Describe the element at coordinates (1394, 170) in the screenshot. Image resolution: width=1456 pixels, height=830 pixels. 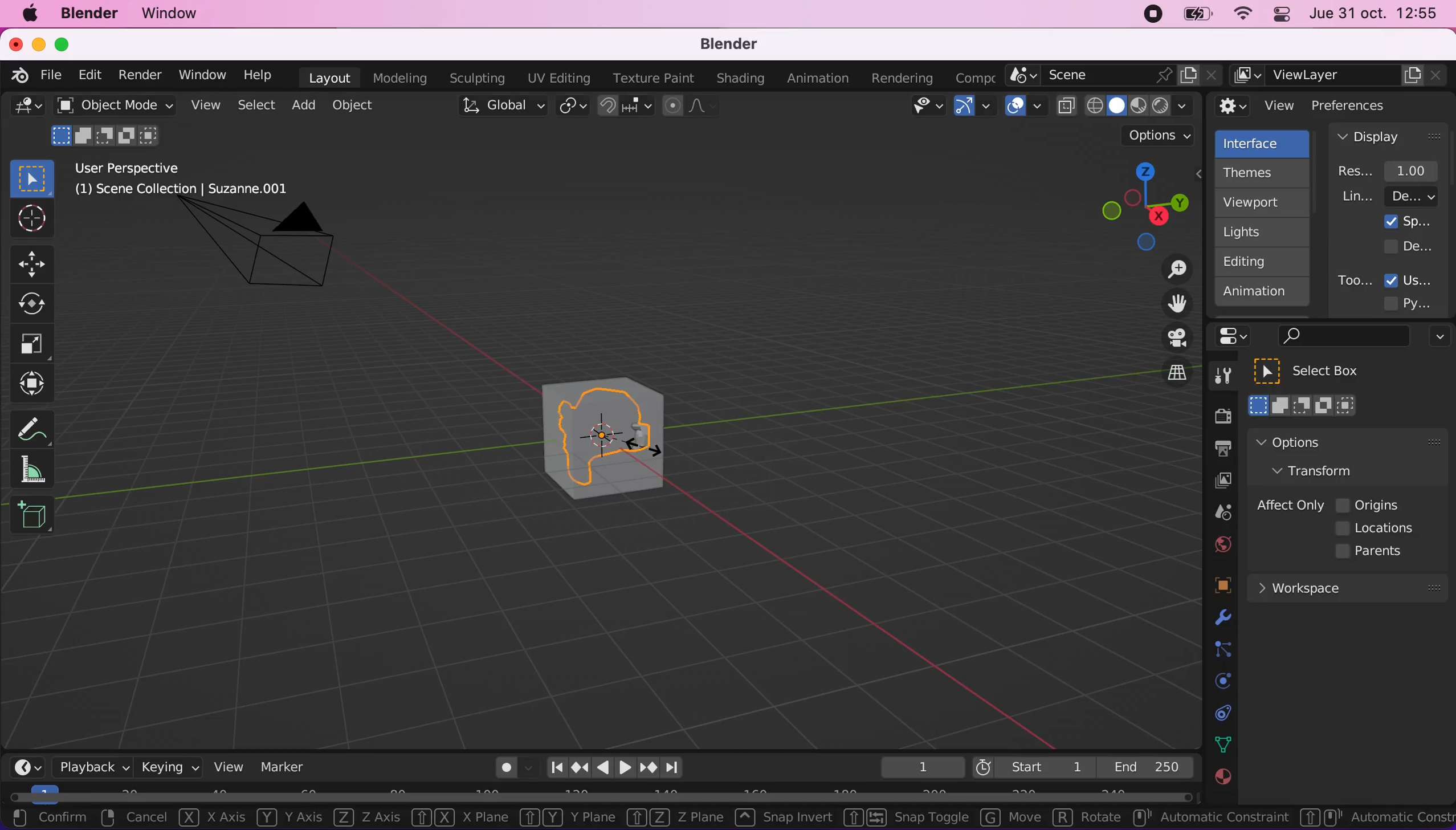
I see `resolution scale` at that location.